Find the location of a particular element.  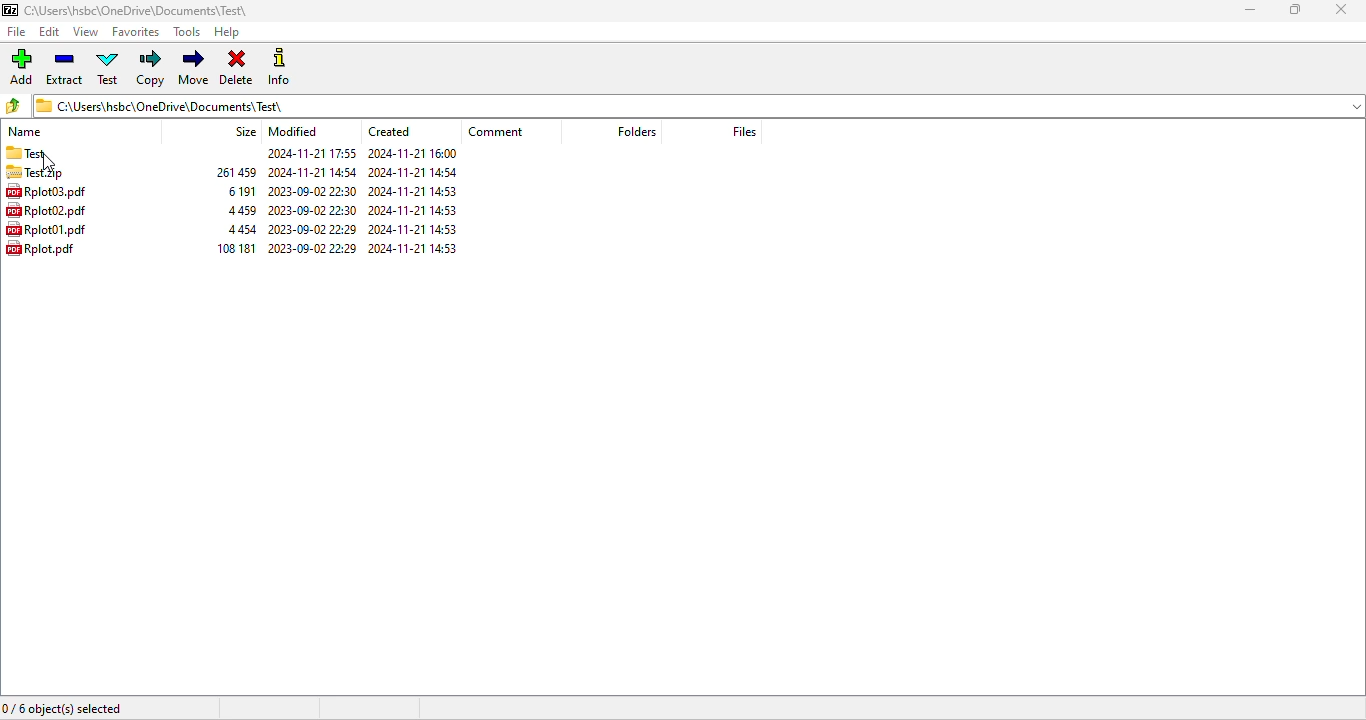

4454 is located at coordinates (241, 230).